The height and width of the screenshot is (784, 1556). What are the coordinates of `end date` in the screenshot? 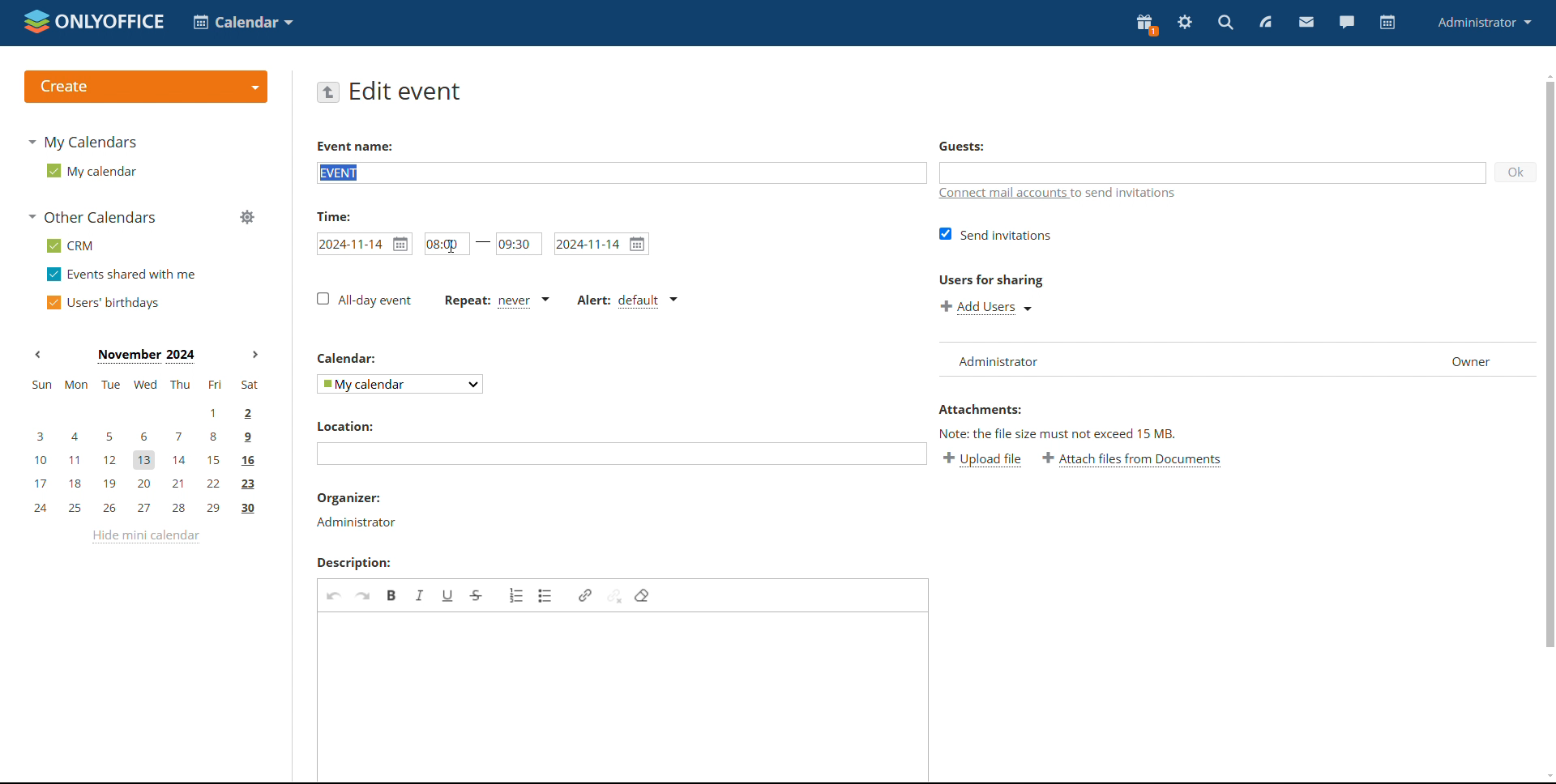 It's located at (601, 244).